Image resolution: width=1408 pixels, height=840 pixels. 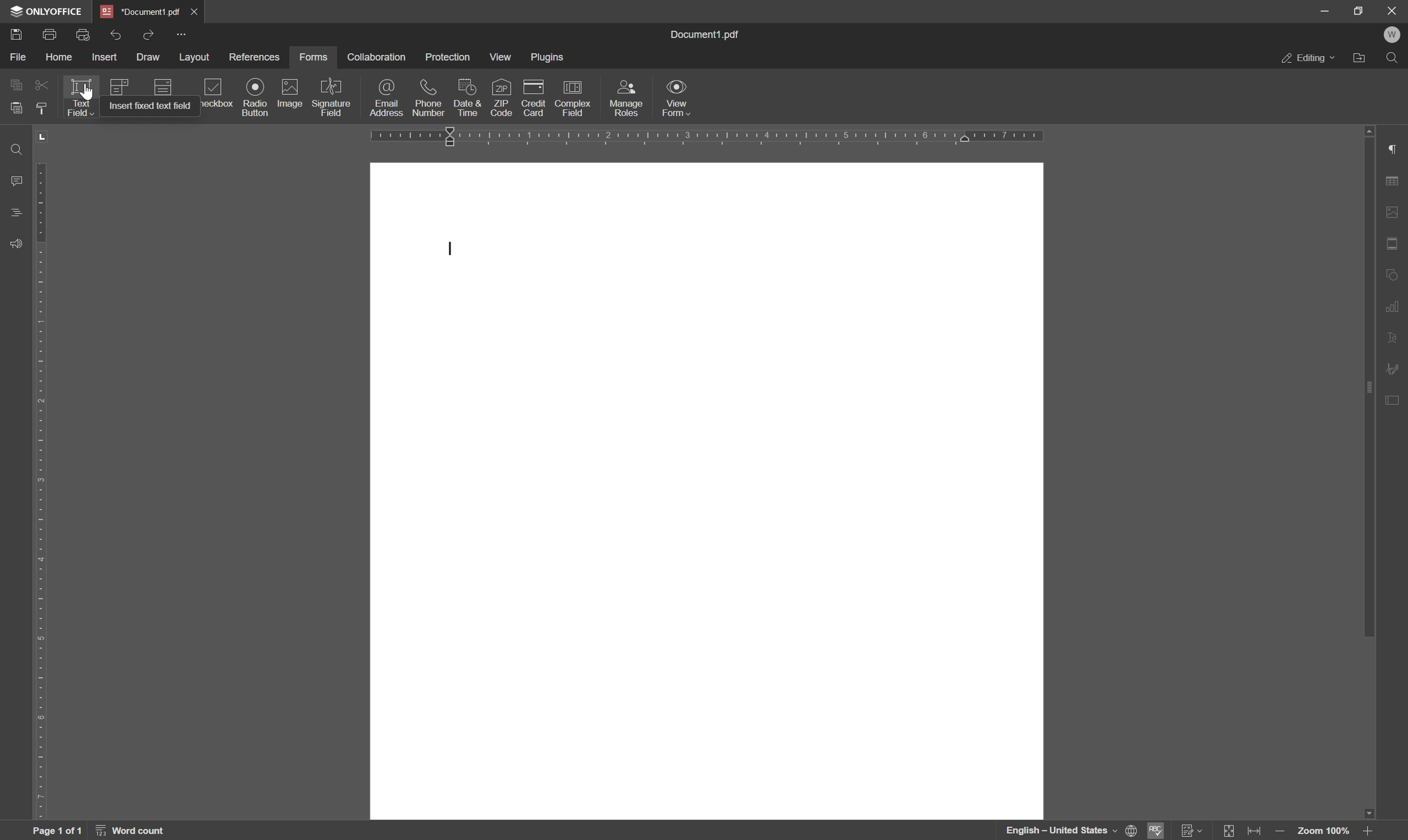 I want to click on form settings, so click(x=1396, y=402).